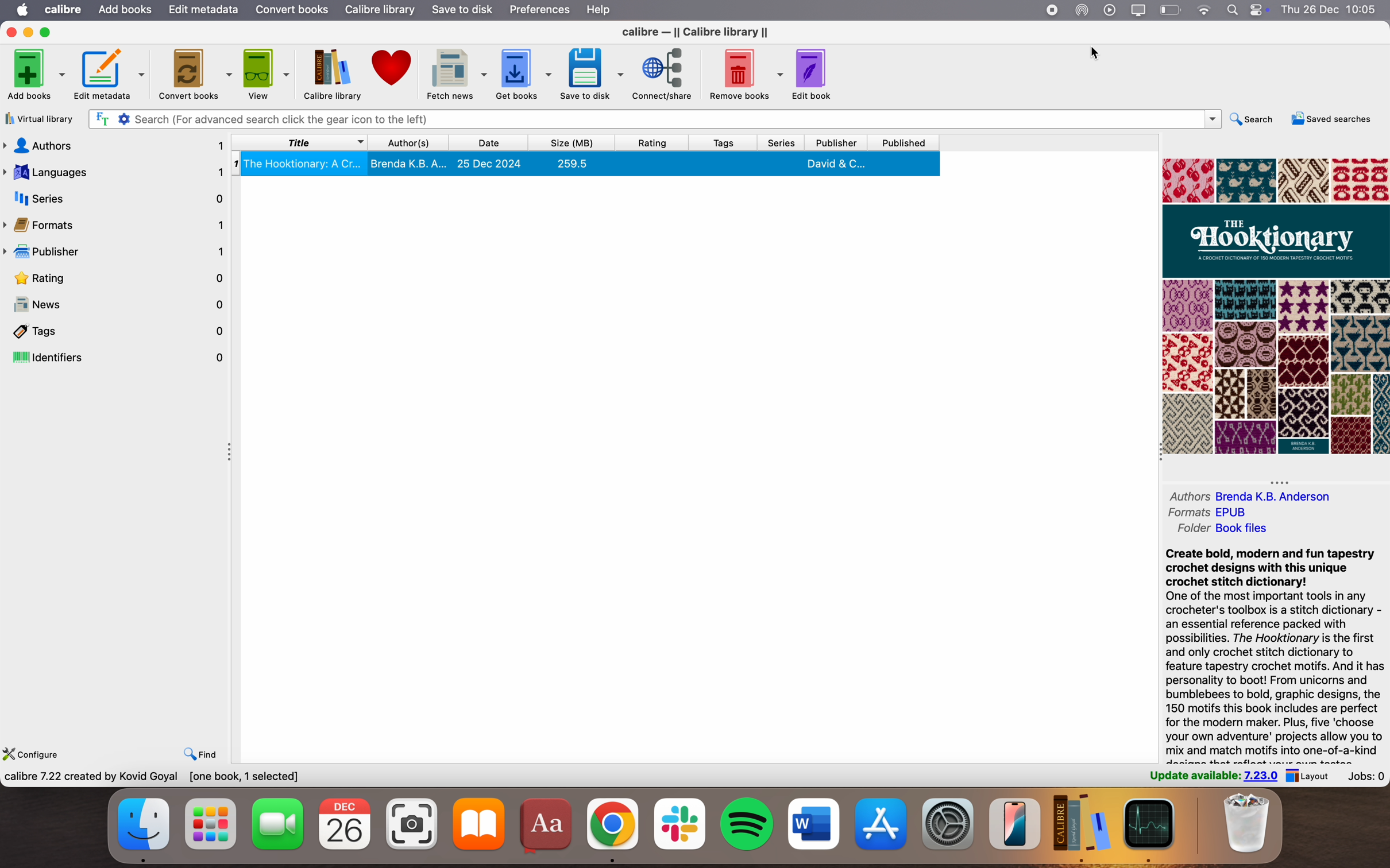  I want to click on Calibre-|| calibre library ||, so click(696, 30).